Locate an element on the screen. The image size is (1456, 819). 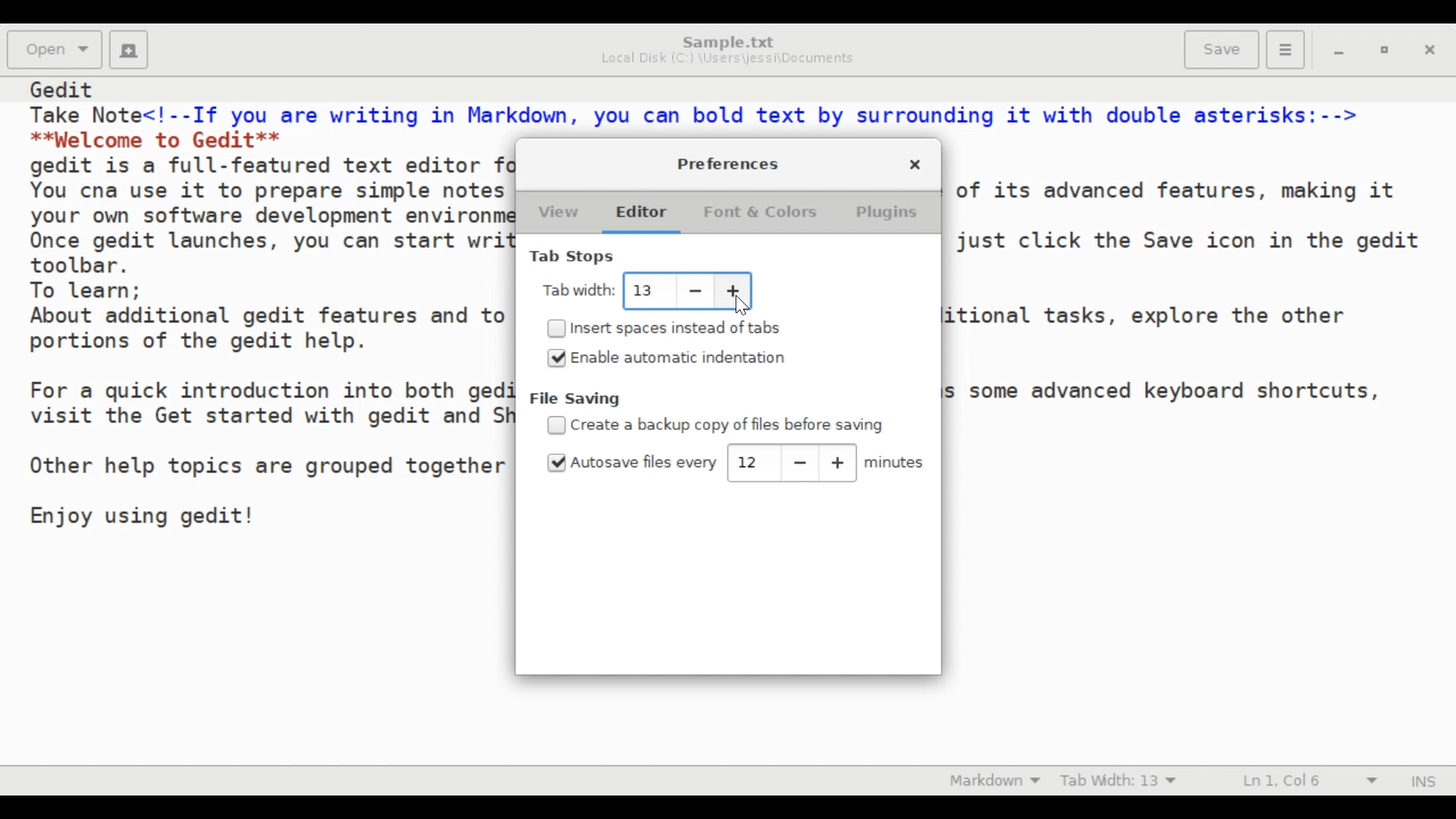
restore is located at coordinates (1389, 53).